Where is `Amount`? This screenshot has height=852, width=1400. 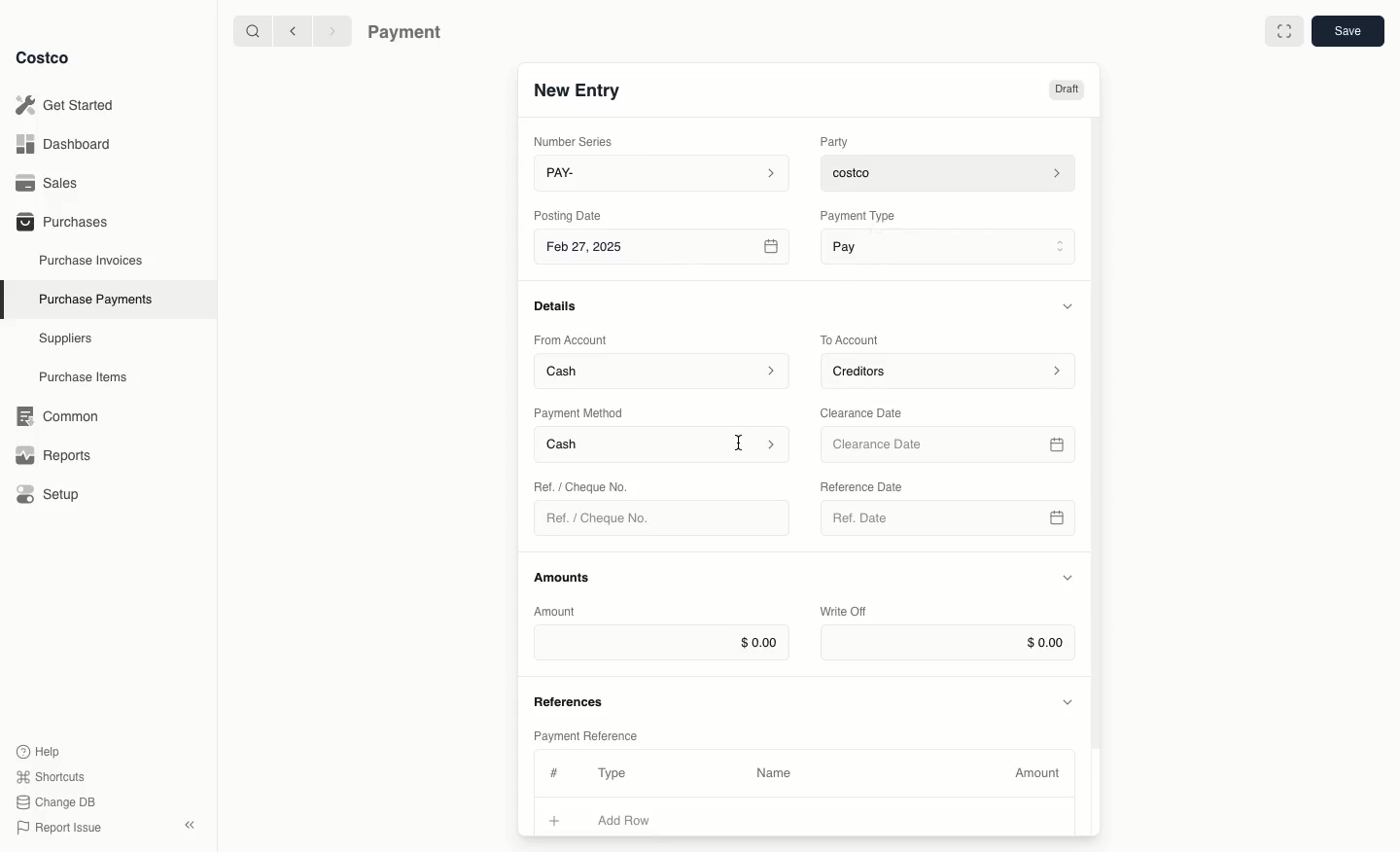 Amount is located at coordinates (1040, 773).